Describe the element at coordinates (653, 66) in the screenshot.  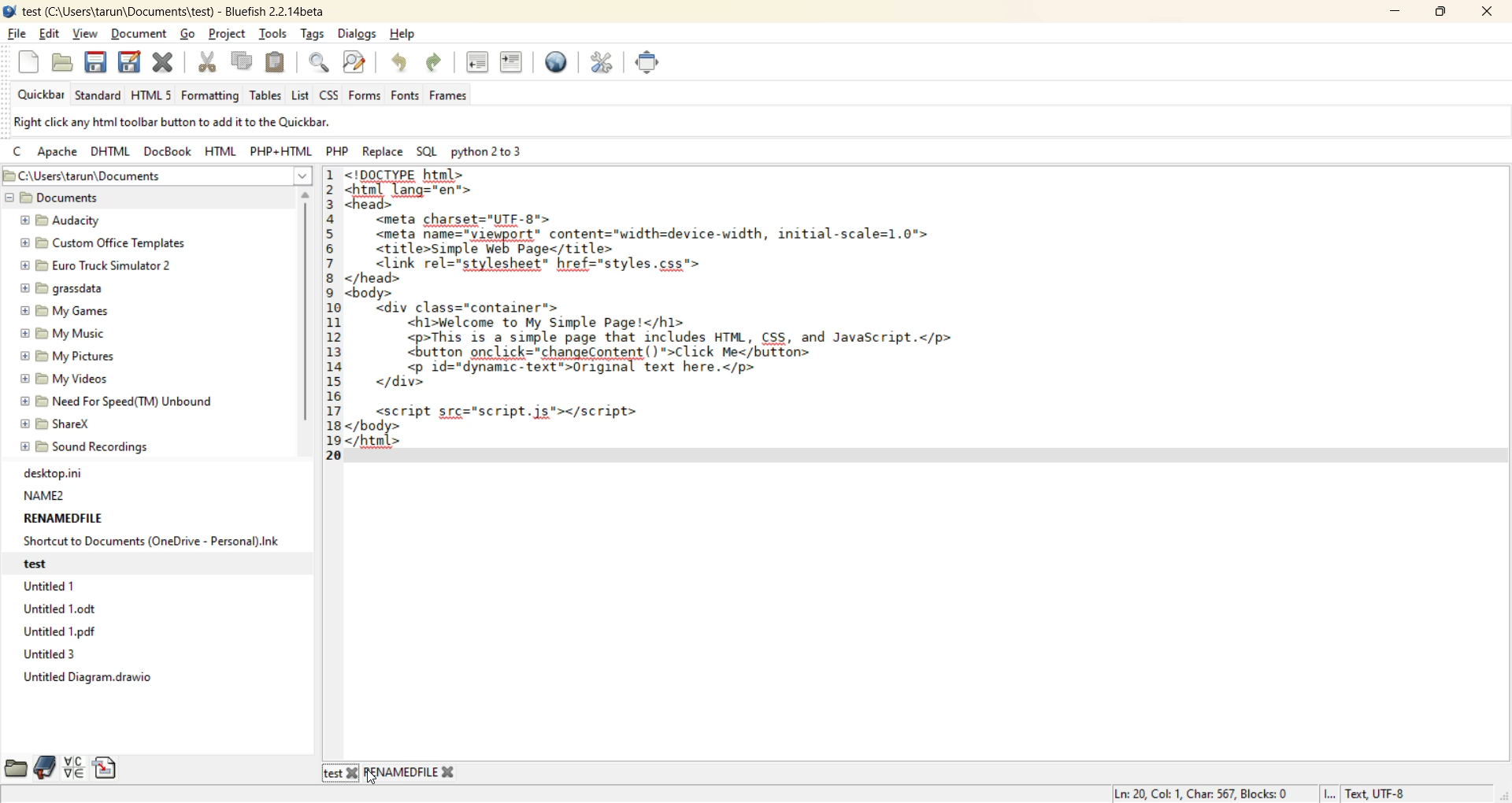
I see `full screen` at that location.